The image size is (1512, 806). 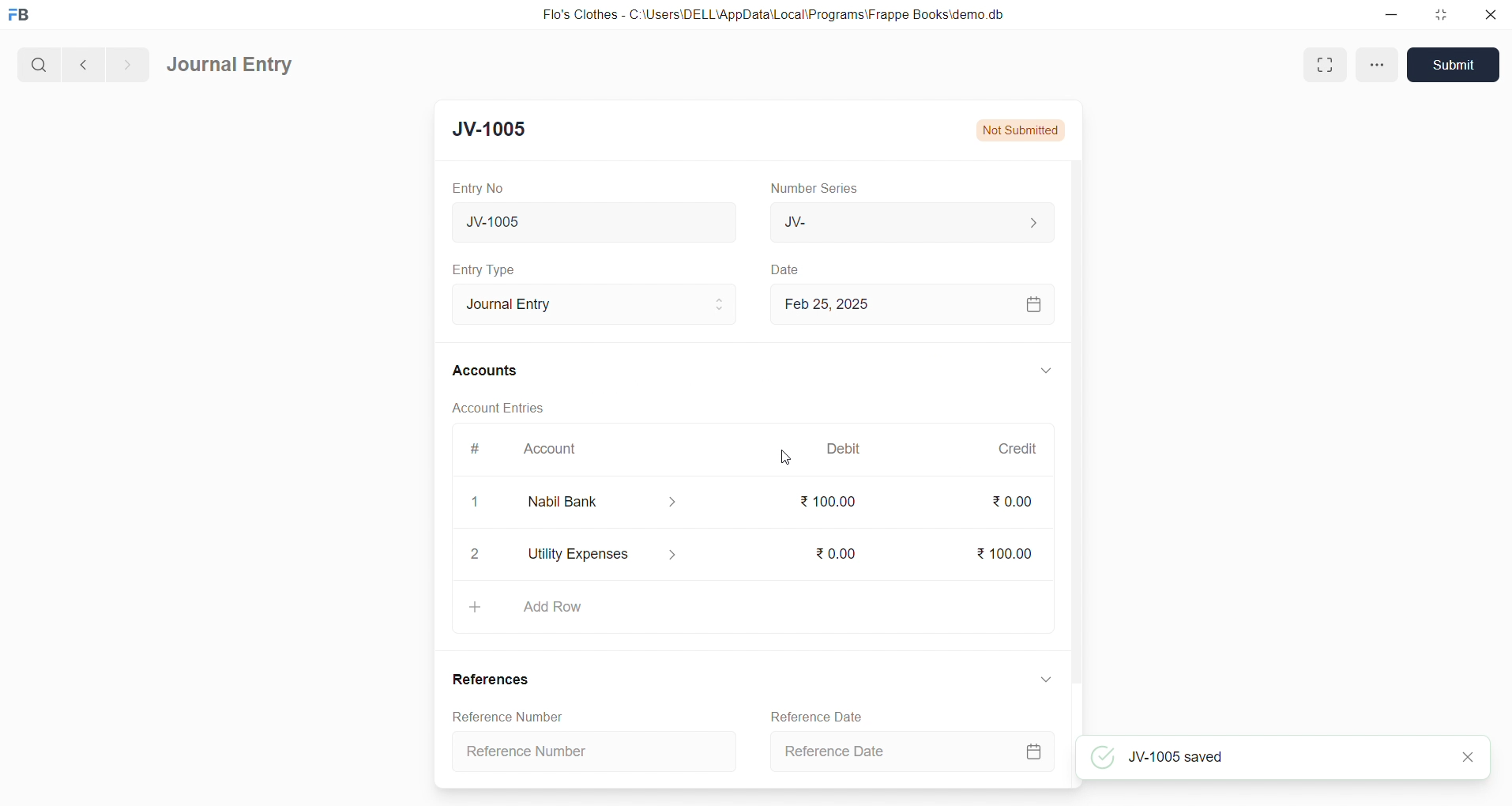 I want to click on Debit, so click(x=848, y=447).